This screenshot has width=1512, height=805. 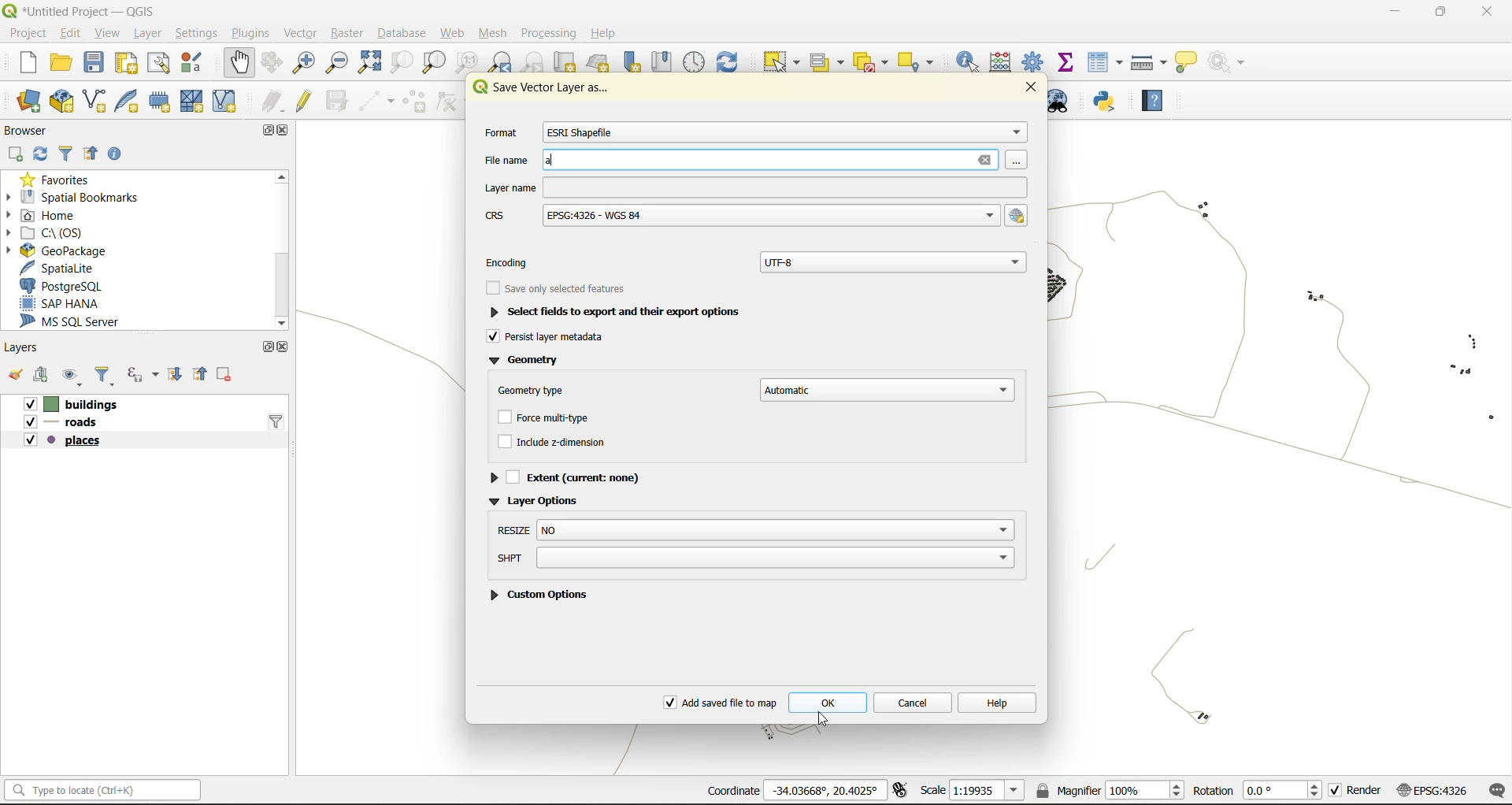 What do you see at coordinates (278, 421) in the screenshot?
I see `filter` at bounding box center [278, 421].